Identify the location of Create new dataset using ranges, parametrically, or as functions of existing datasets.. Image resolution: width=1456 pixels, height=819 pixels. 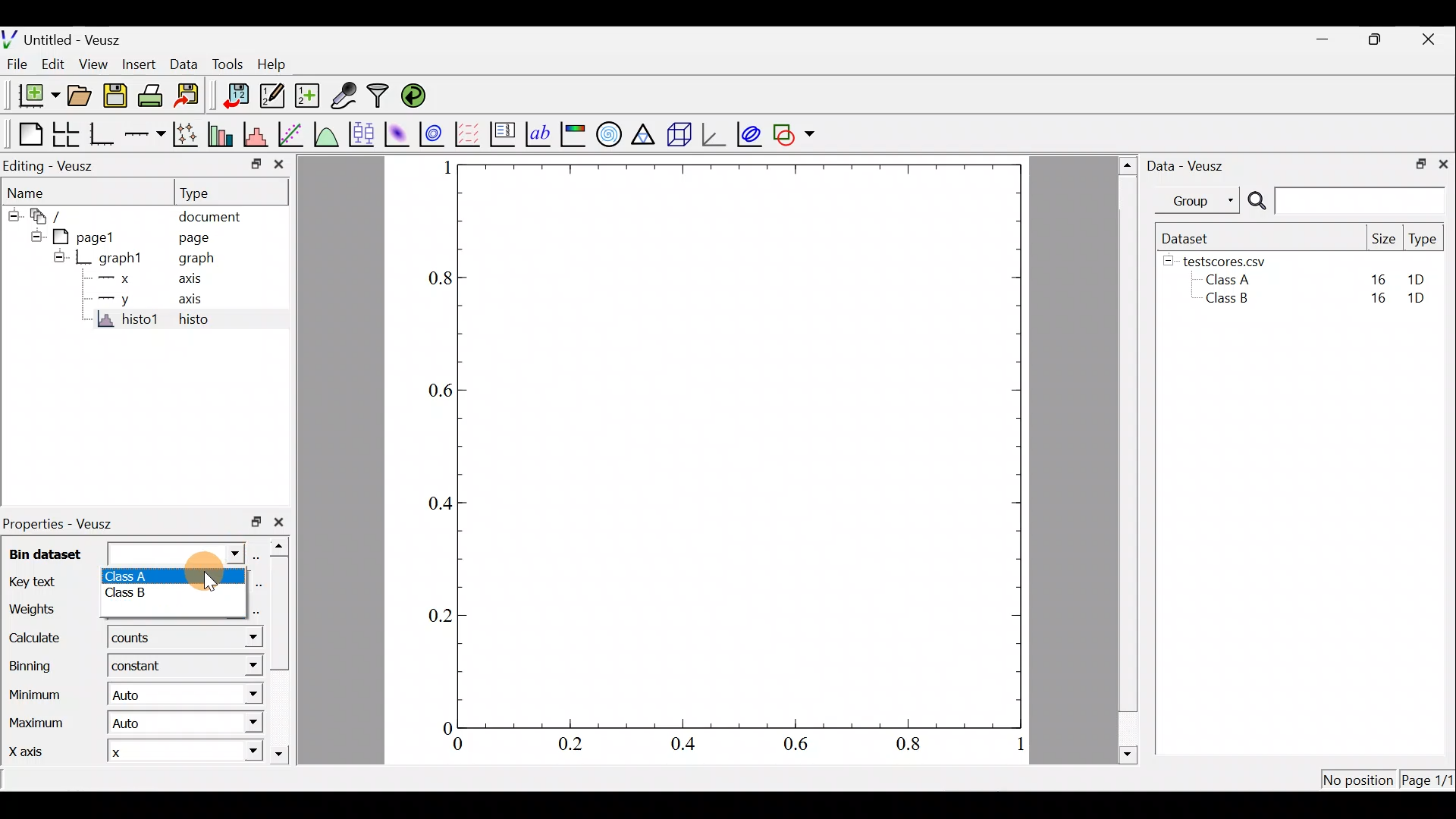
(305, 95).